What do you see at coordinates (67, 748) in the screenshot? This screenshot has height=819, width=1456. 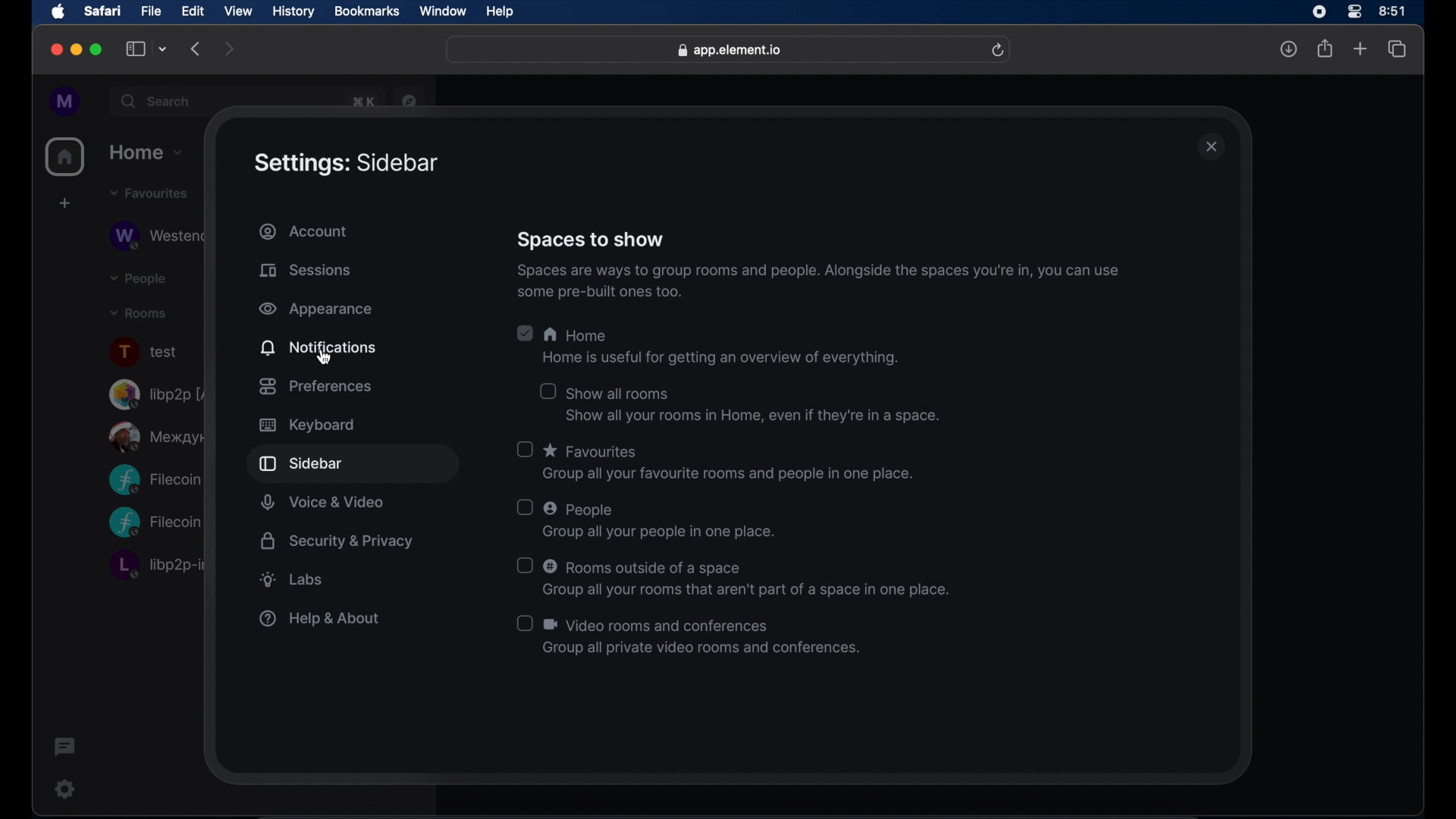 I see `threads` at bounding box center [67, 748].